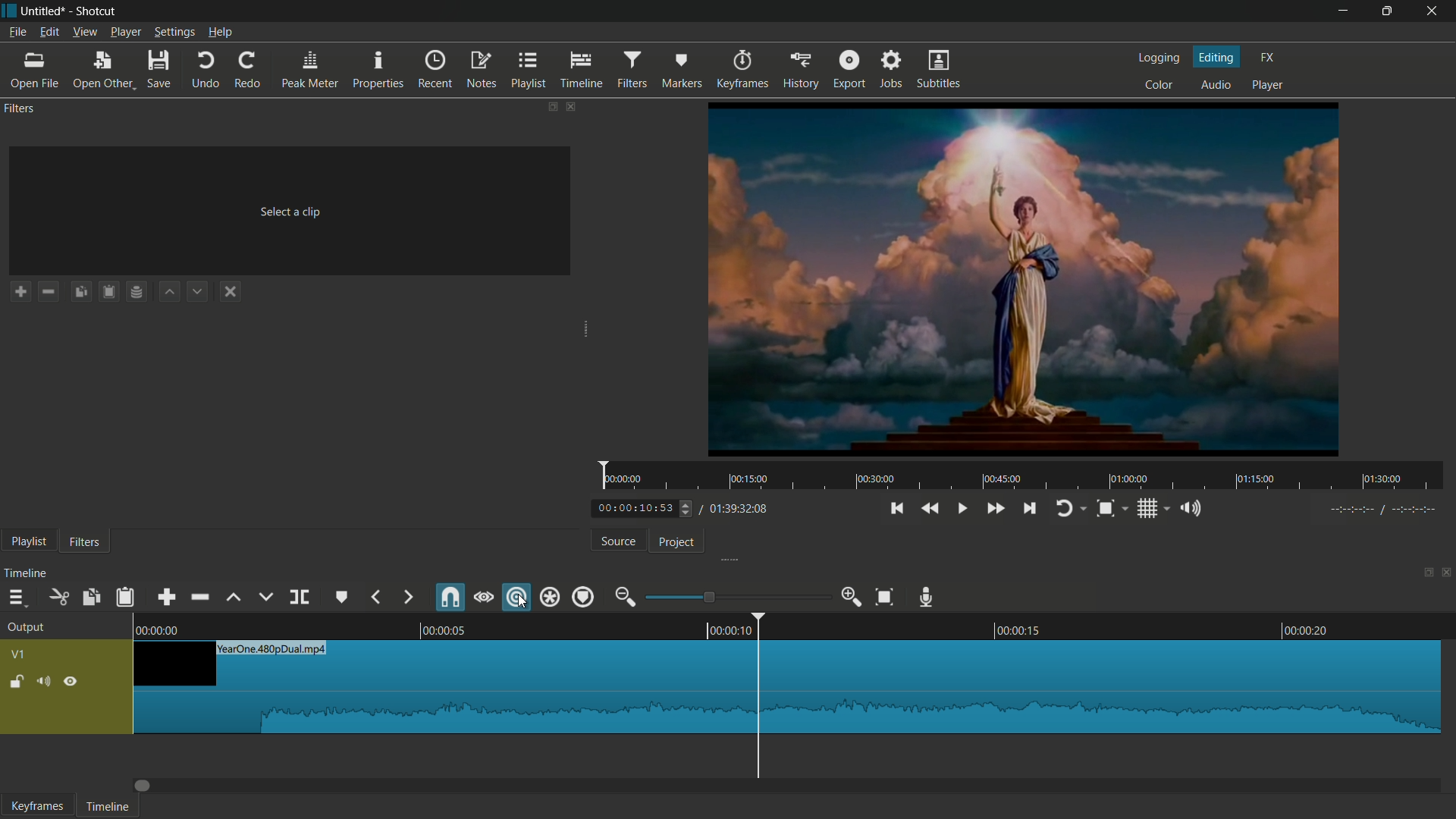 This screenshot has height=819, width=1456. Describe the element at coordinates (572, 107) in the screenshot. I see `close filters` at that location.